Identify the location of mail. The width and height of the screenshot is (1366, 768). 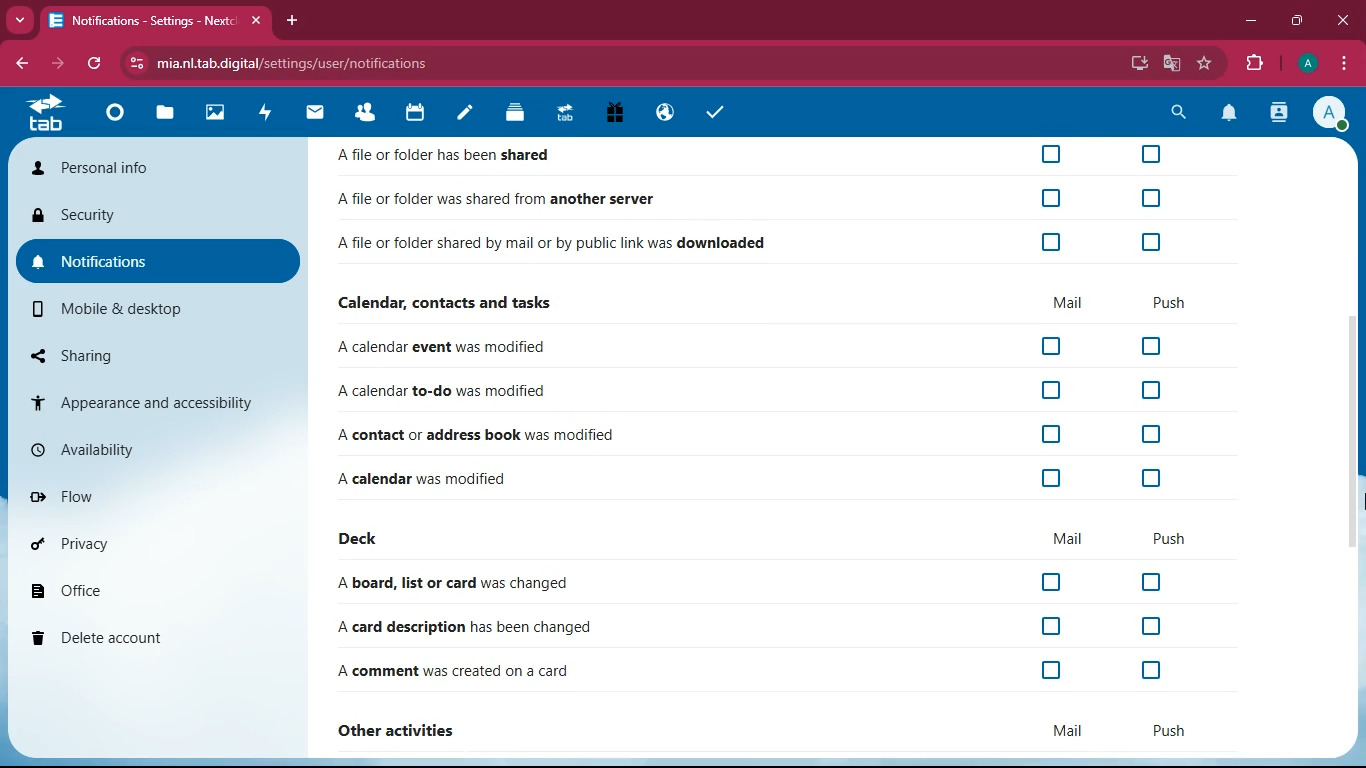
(316, 114).